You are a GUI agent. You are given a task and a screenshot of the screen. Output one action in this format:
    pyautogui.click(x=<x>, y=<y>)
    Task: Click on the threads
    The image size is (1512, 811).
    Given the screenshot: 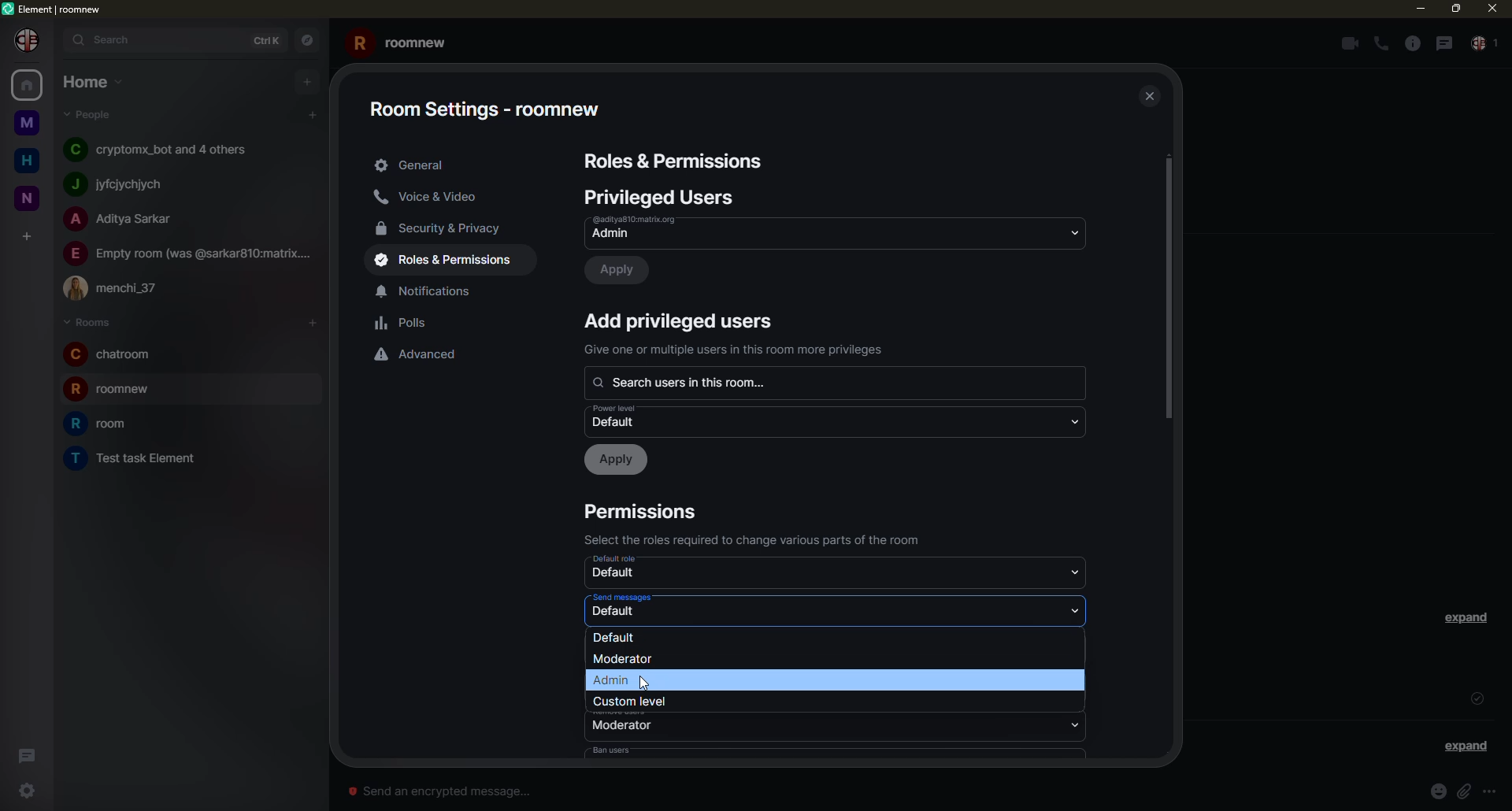 What is the action you would take?
    pyautogui.click(x=1443, y=43)
    